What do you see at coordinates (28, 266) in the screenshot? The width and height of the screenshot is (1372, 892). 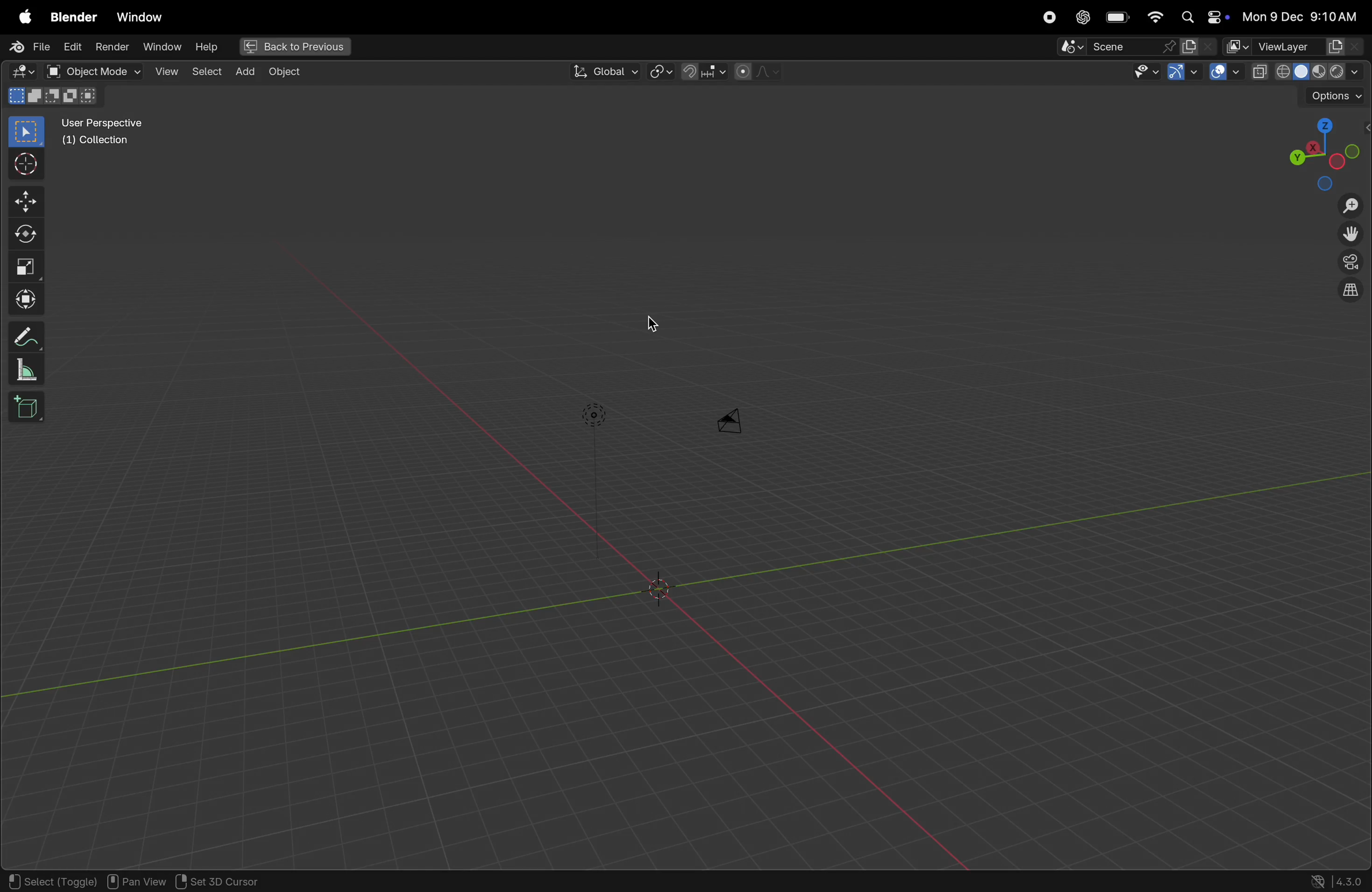 I see `scale` at bounding box center [28, 266].